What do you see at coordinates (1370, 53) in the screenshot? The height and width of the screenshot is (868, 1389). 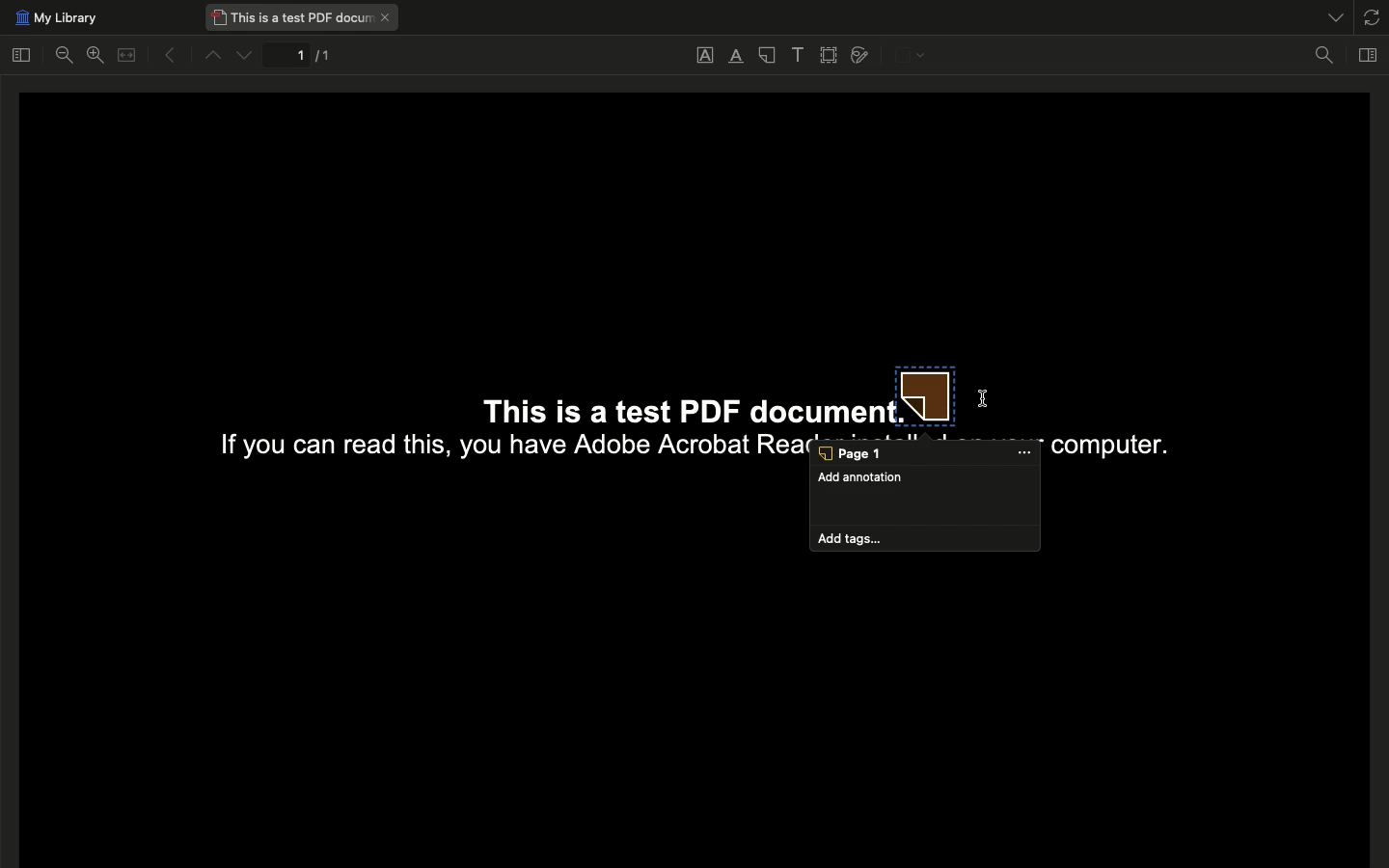 I see `Toggle context pane` at bounding box center [1370, 53].